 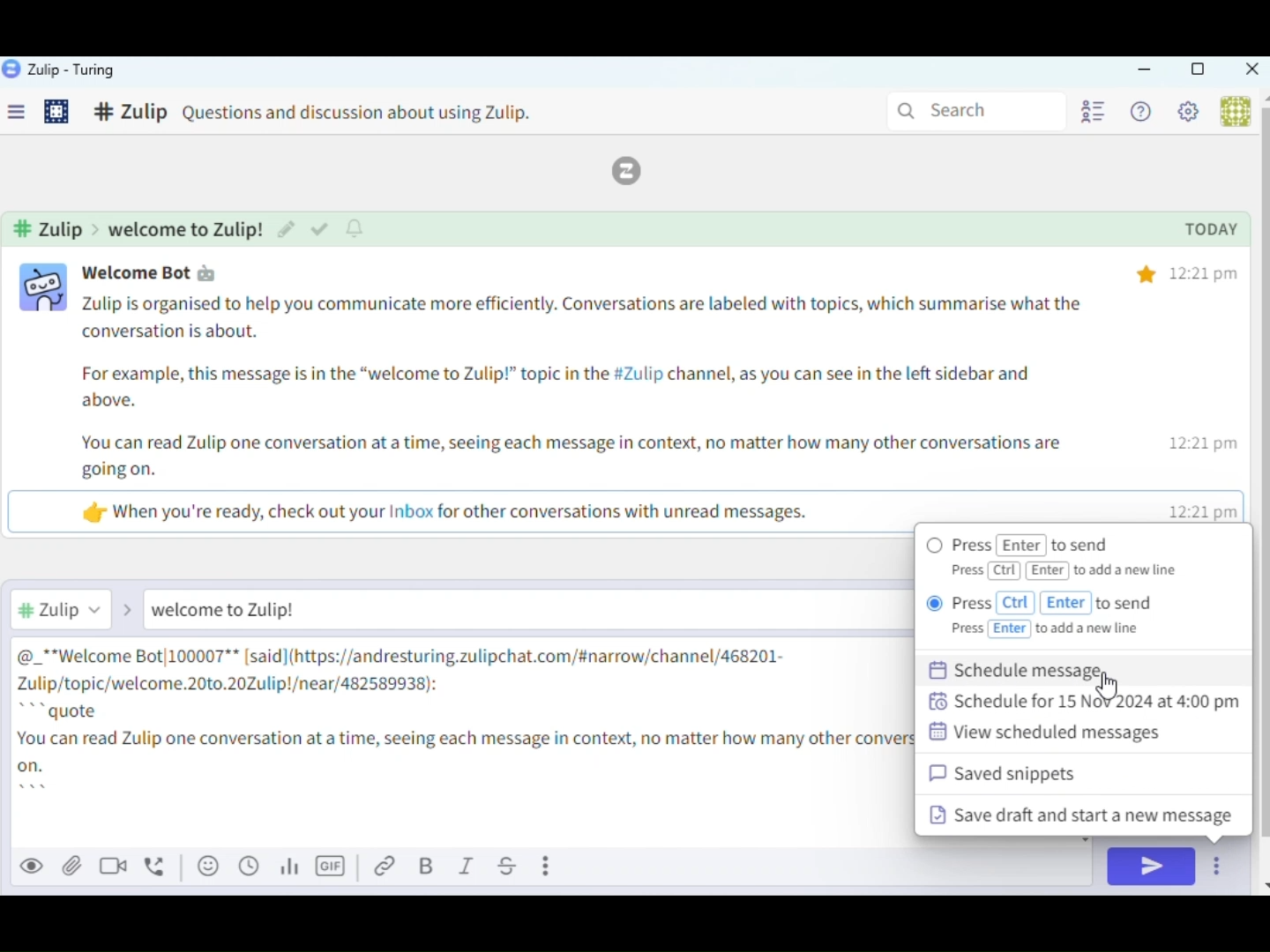 What do you see at coordinates (1262, 879) in the screenshot?
I see `Down` at bounding box center [1262, 879].